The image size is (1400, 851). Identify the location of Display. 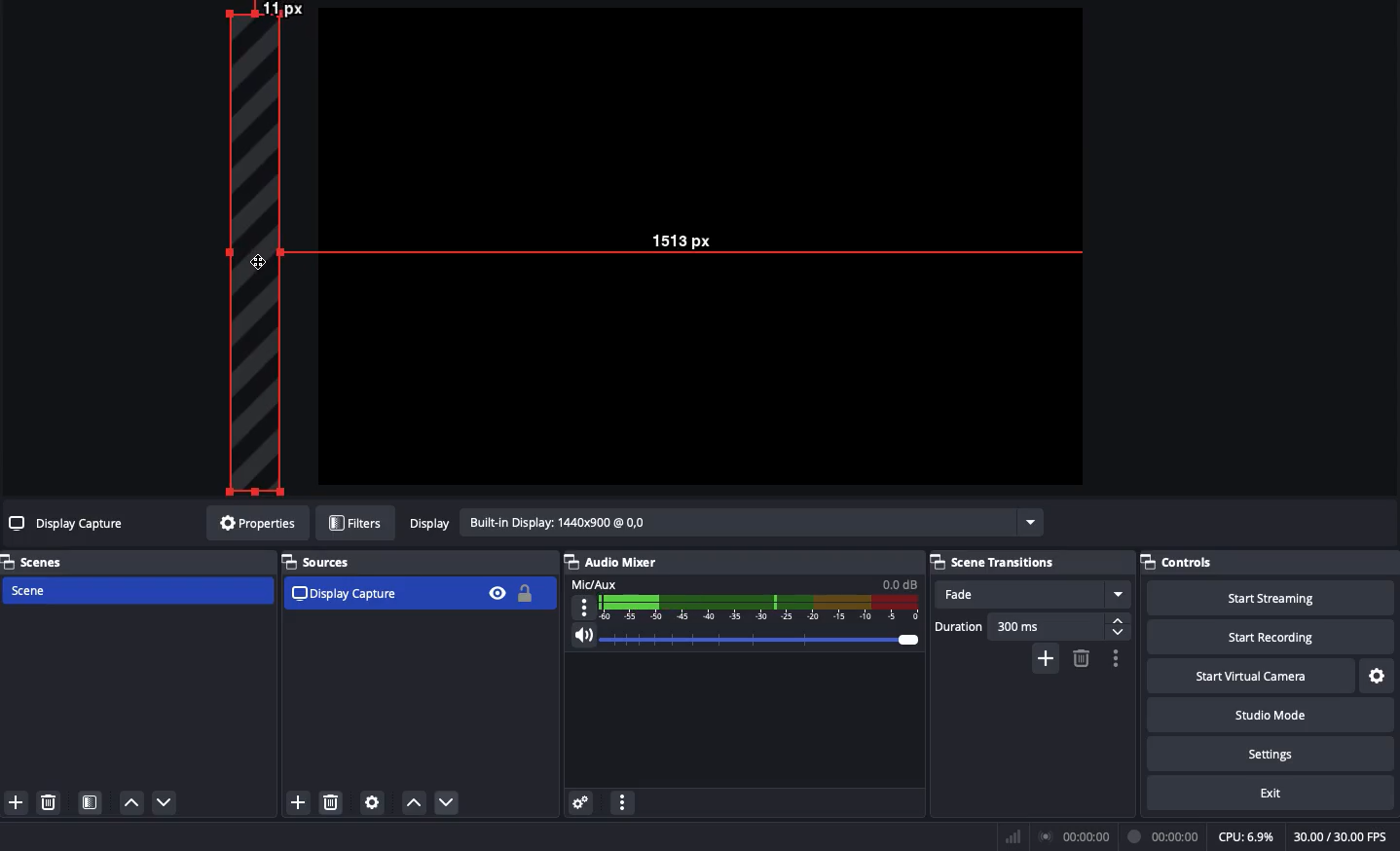
(723, 525).